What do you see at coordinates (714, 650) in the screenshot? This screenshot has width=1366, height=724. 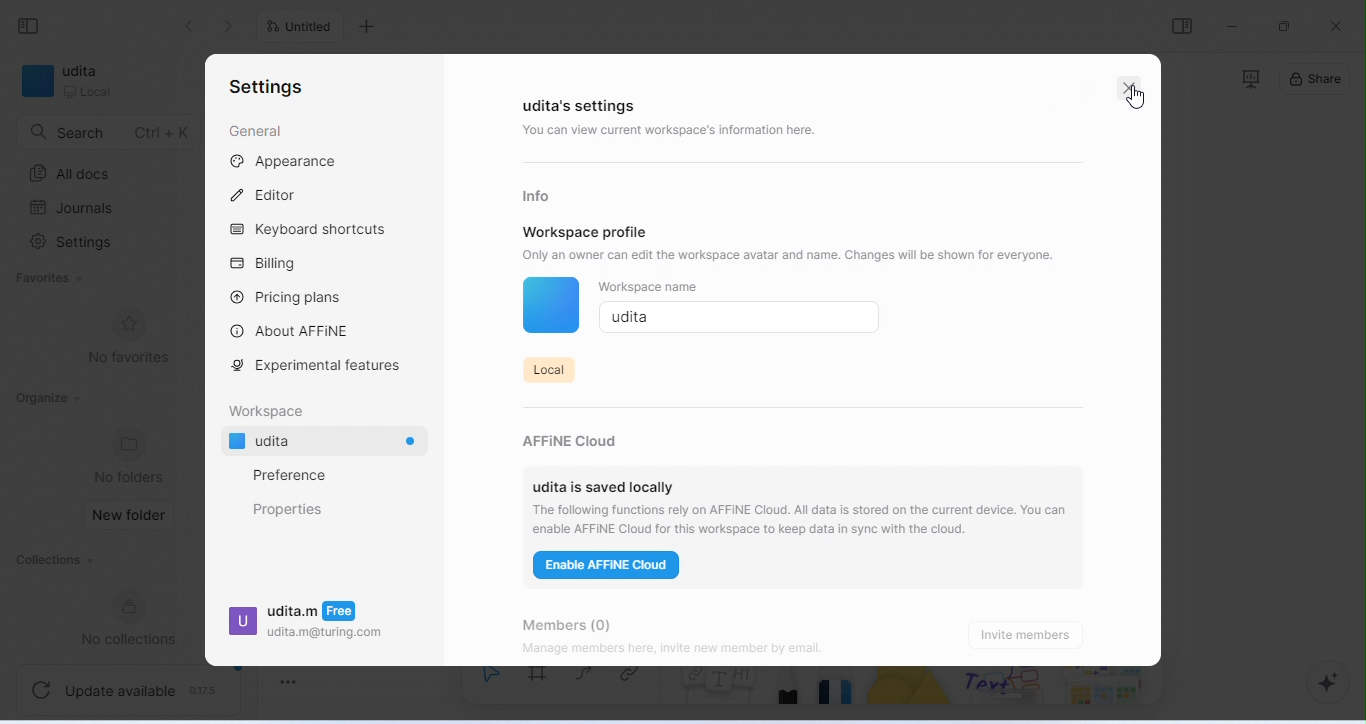 I see `Manage members here, invite new member by email.` at bounding box center [714, 650].